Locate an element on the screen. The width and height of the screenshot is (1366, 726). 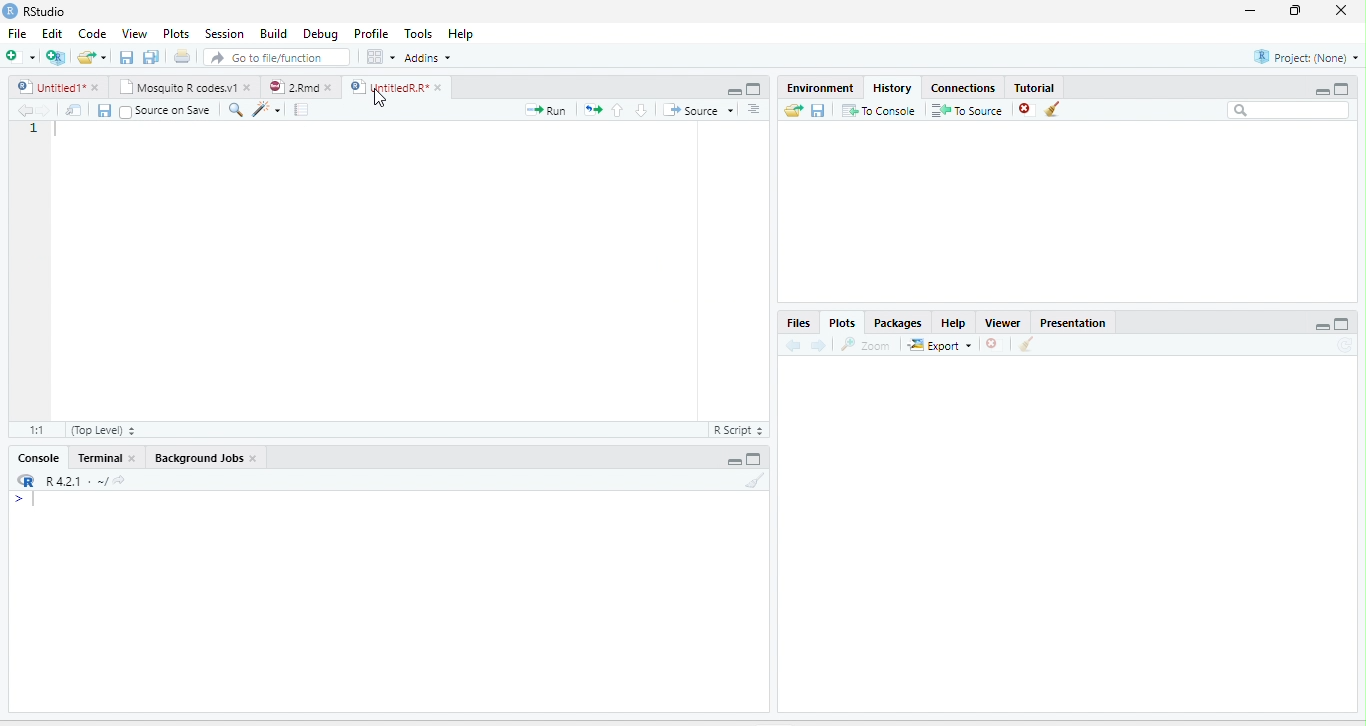
Find/Replace is located at coordinates (236, 110).